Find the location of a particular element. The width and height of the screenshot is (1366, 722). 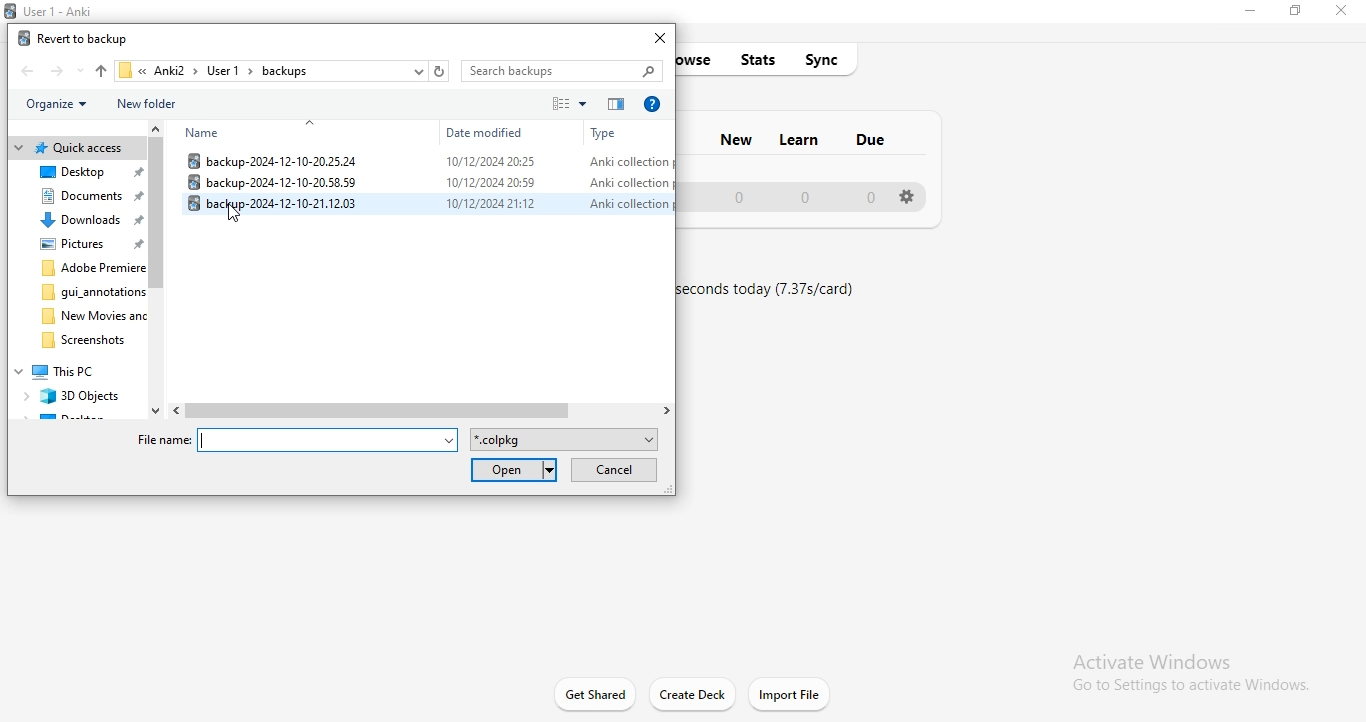

close is located at coordinates (1345, 12).